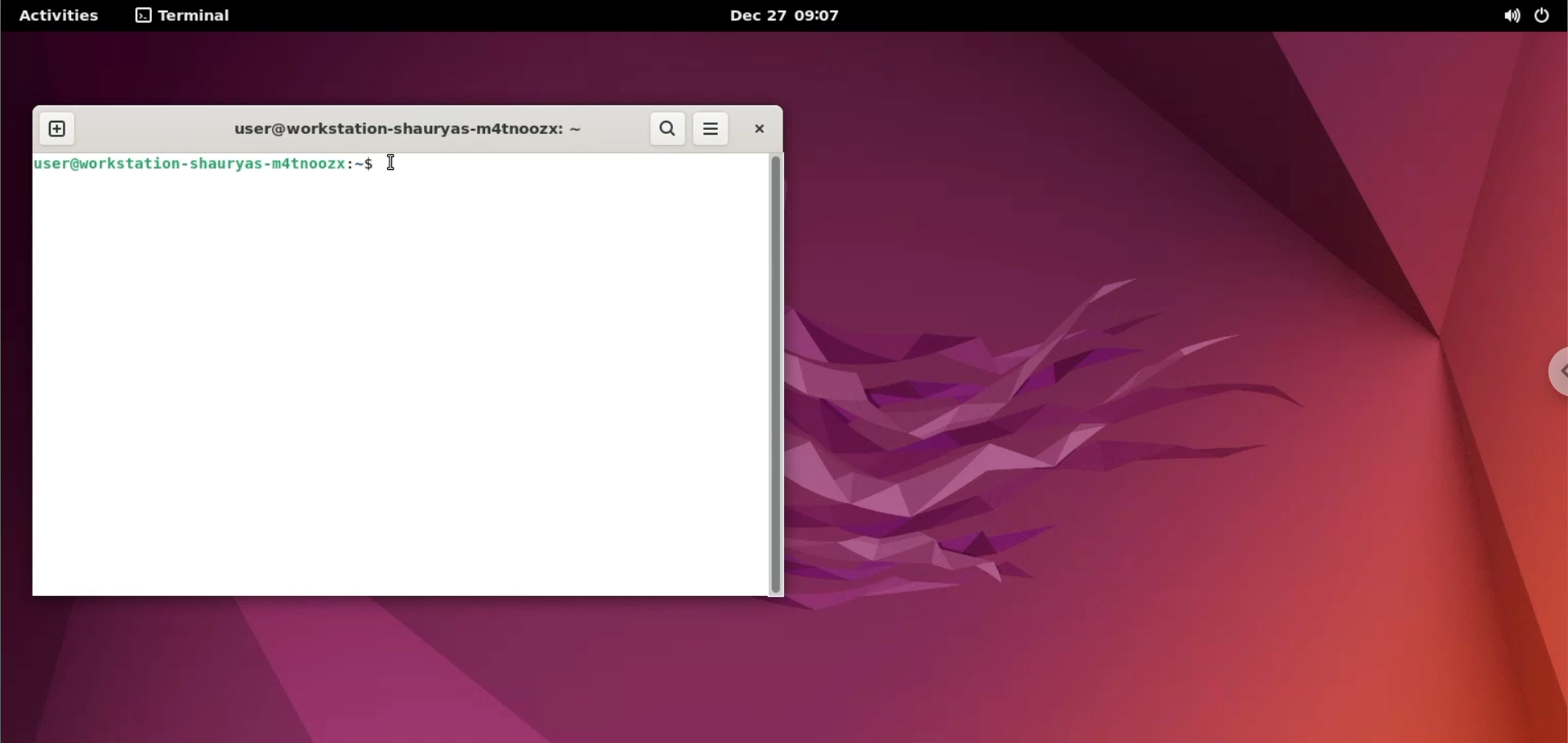 Image resolution: width=1568 pixels, height=743 pixels. I want to click on user@workstation-shauryas-m4tnoozx:~, so click(401, 128).